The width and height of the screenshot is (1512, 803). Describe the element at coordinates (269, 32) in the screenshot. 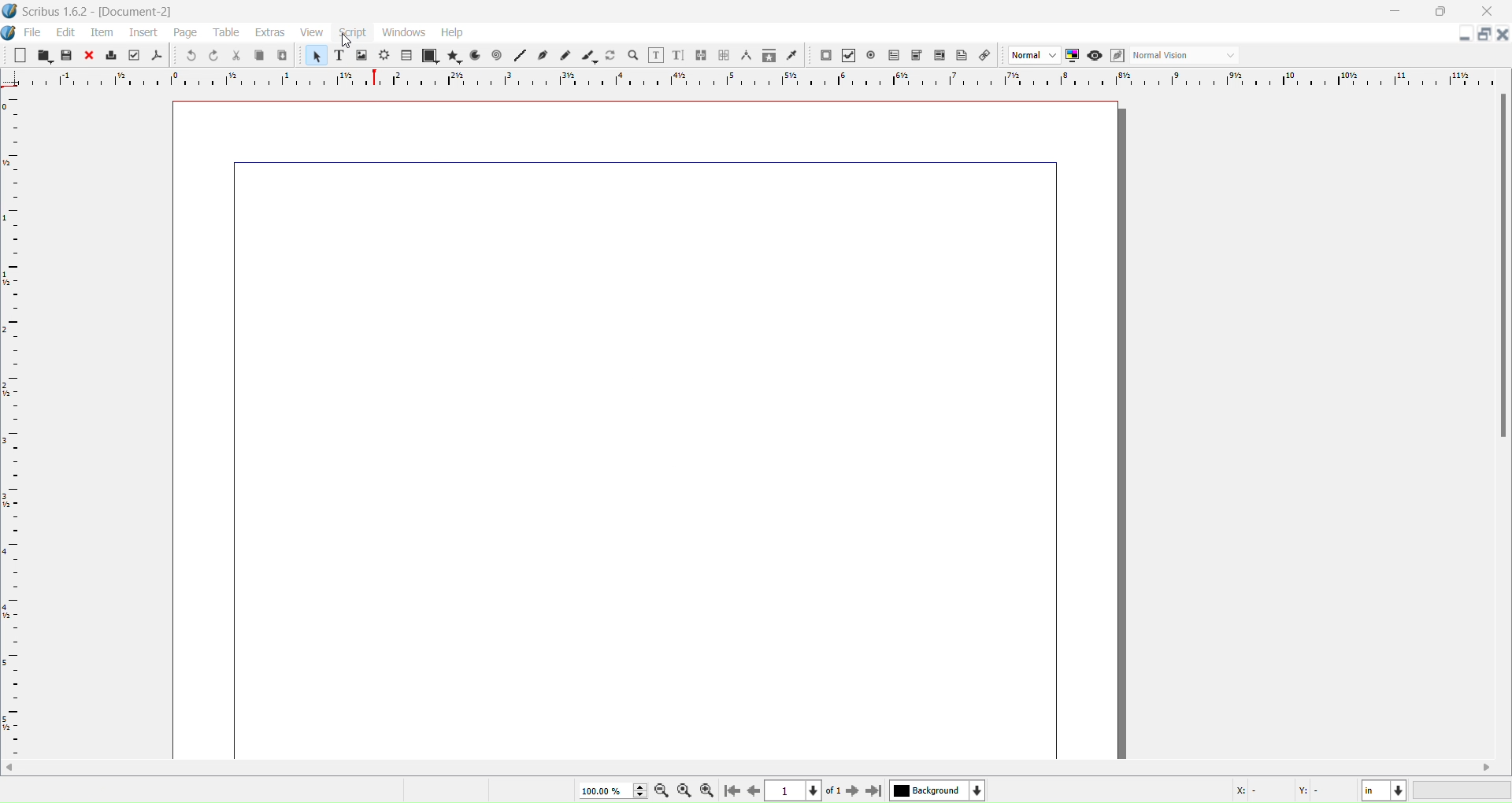

I see `Extras` at that location.